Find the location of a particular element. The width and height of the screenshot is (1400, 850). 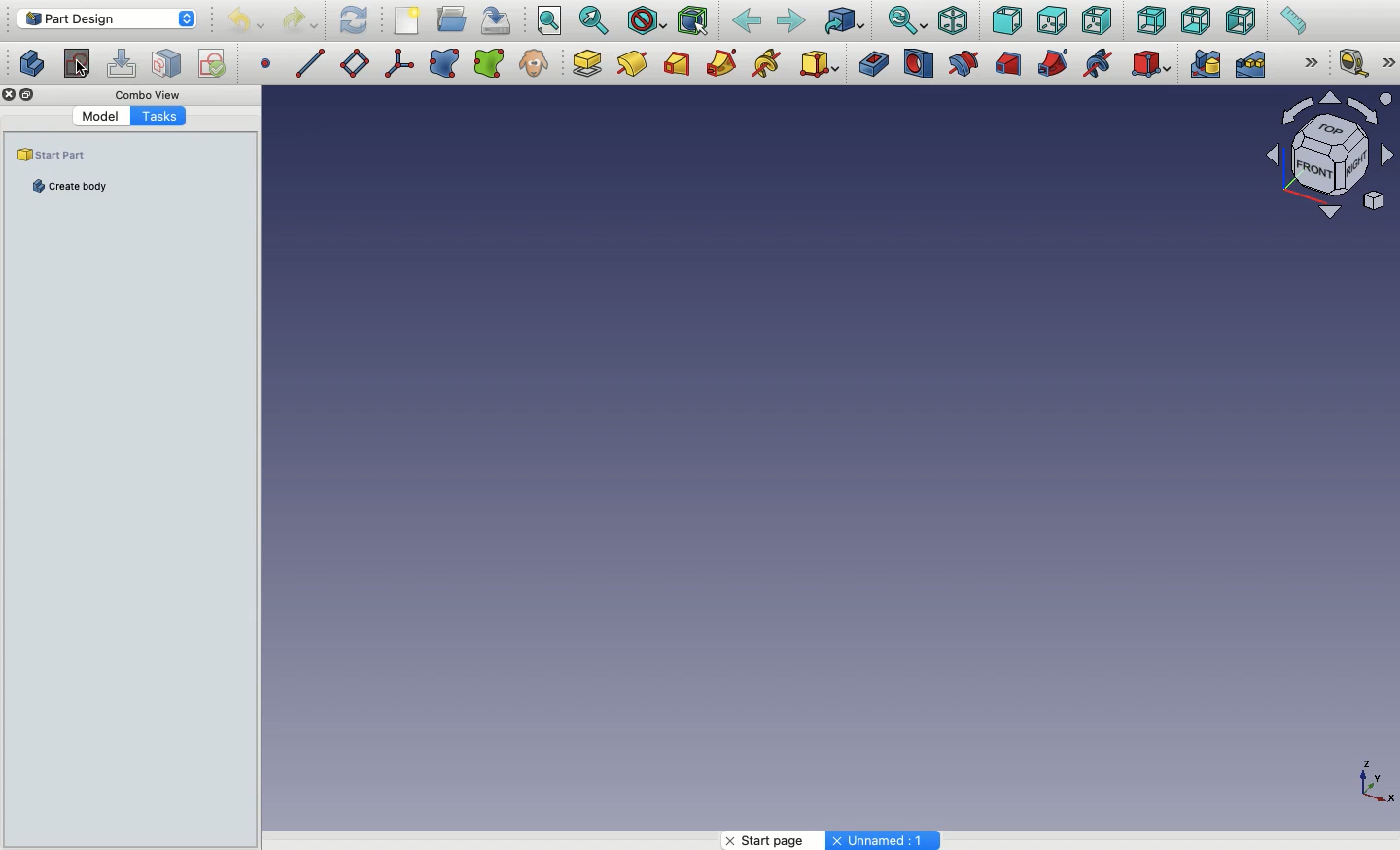

Shape binder is located at coordinates (444, 63).